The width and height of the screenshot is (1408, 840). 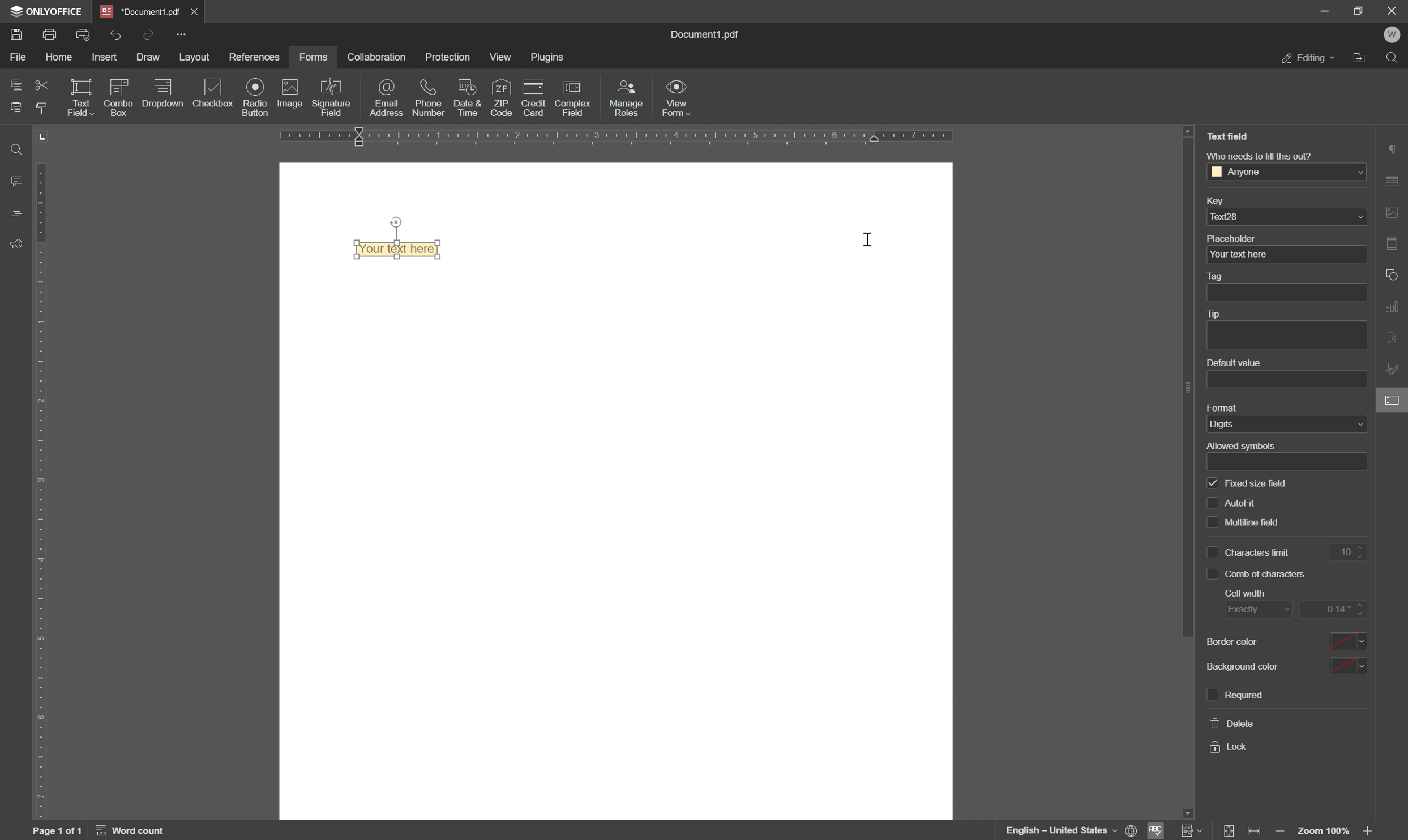 I want to click on manage roles, so click(x=628, y=97).